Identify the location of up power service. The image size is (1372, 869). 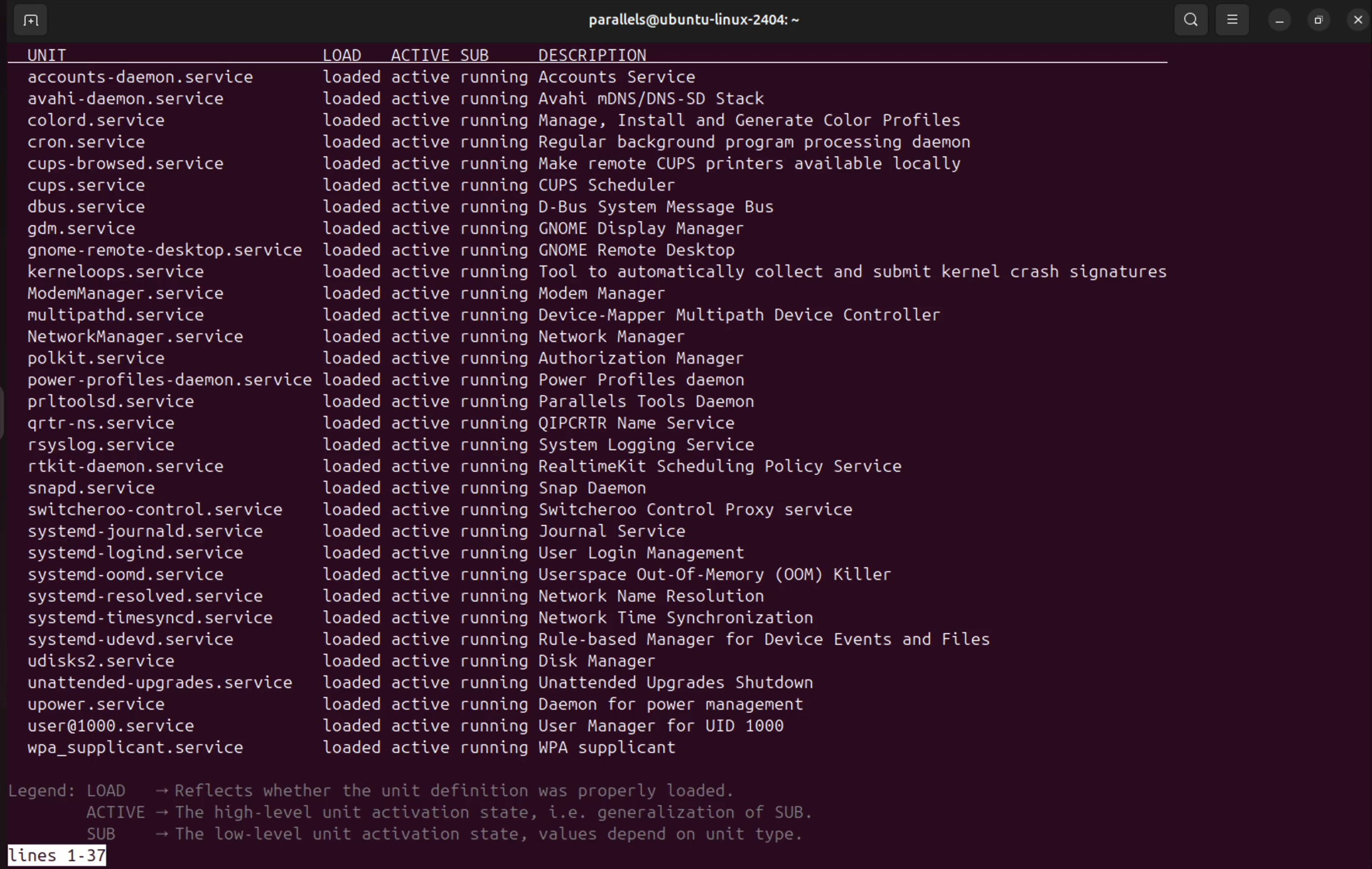
(120, 706).